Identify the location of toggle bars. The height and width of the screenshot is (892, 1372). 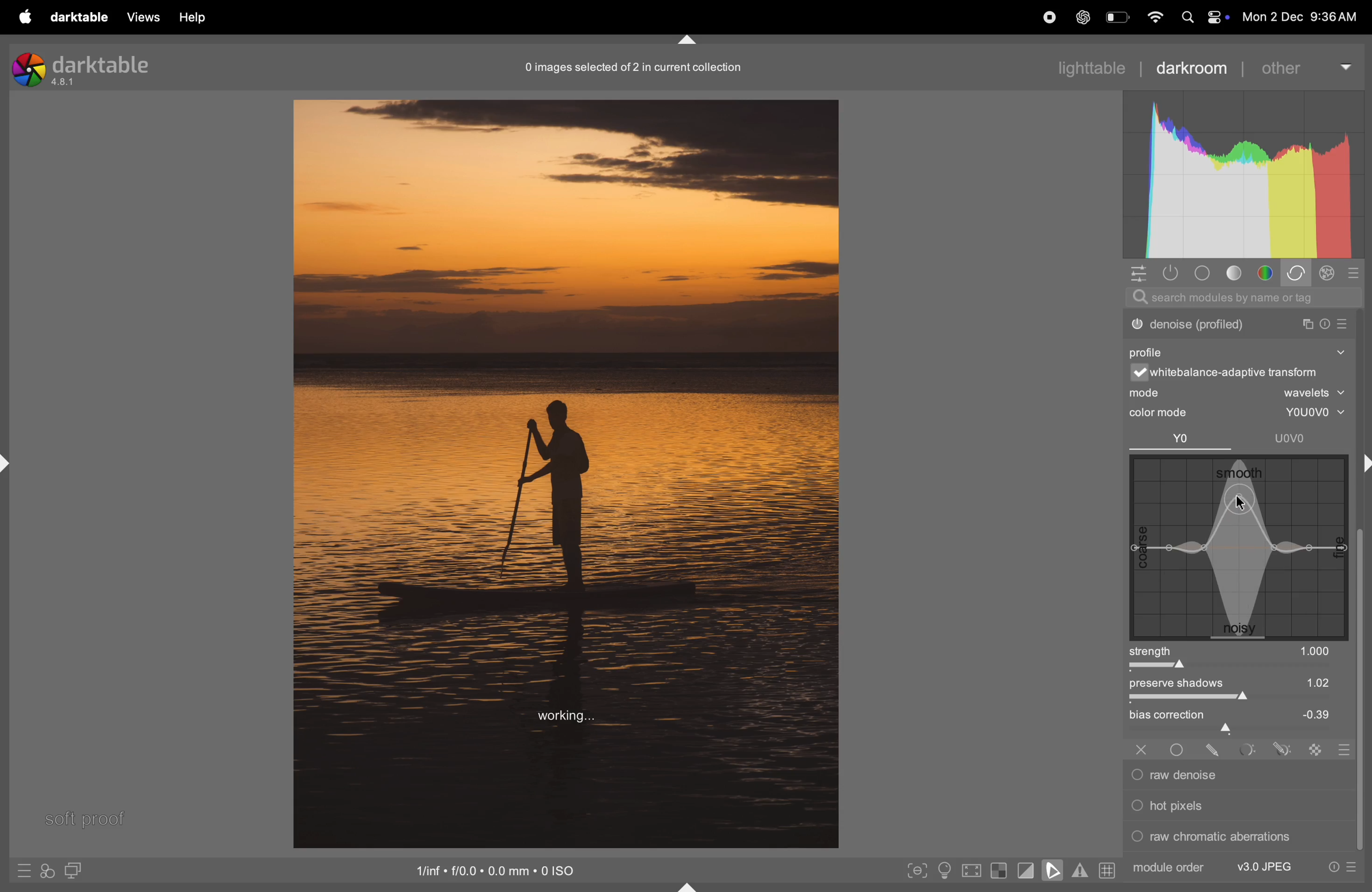
(1239, 700).